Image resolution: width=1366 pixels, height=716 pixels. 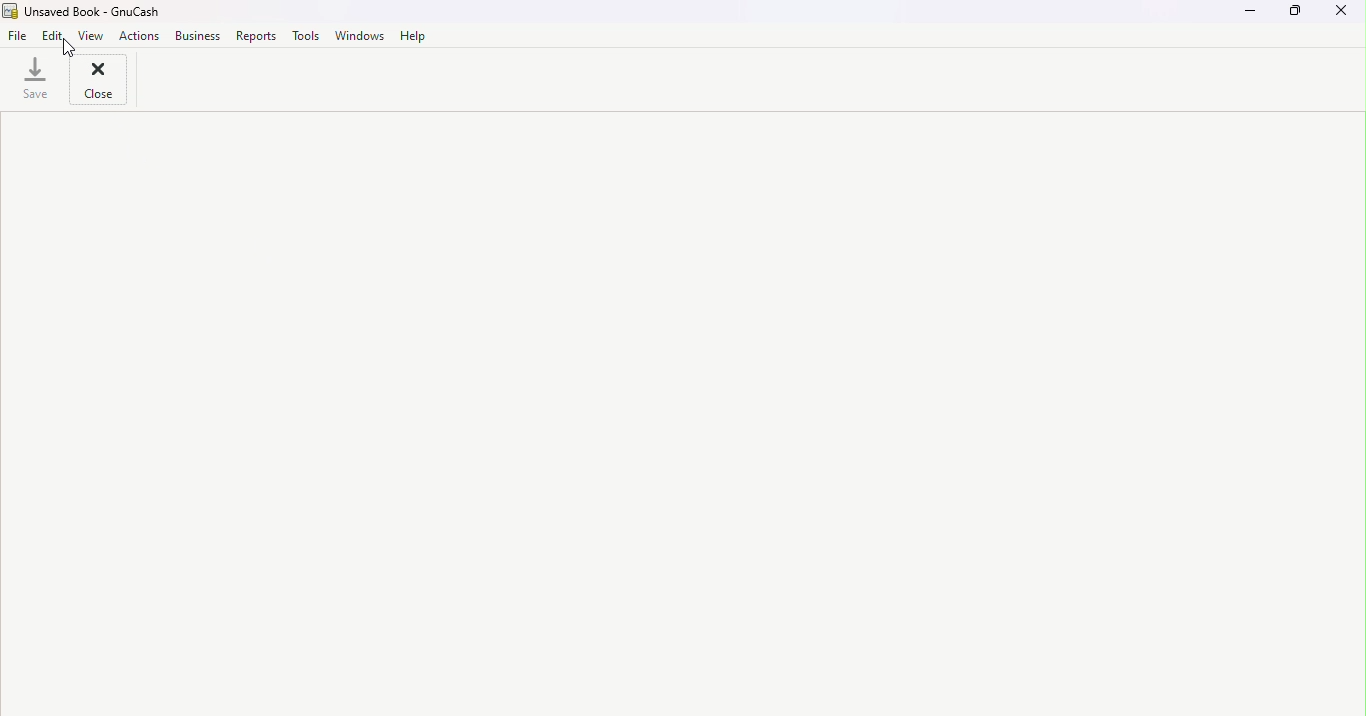 I want to click on Save, so click(x=33, y=82).